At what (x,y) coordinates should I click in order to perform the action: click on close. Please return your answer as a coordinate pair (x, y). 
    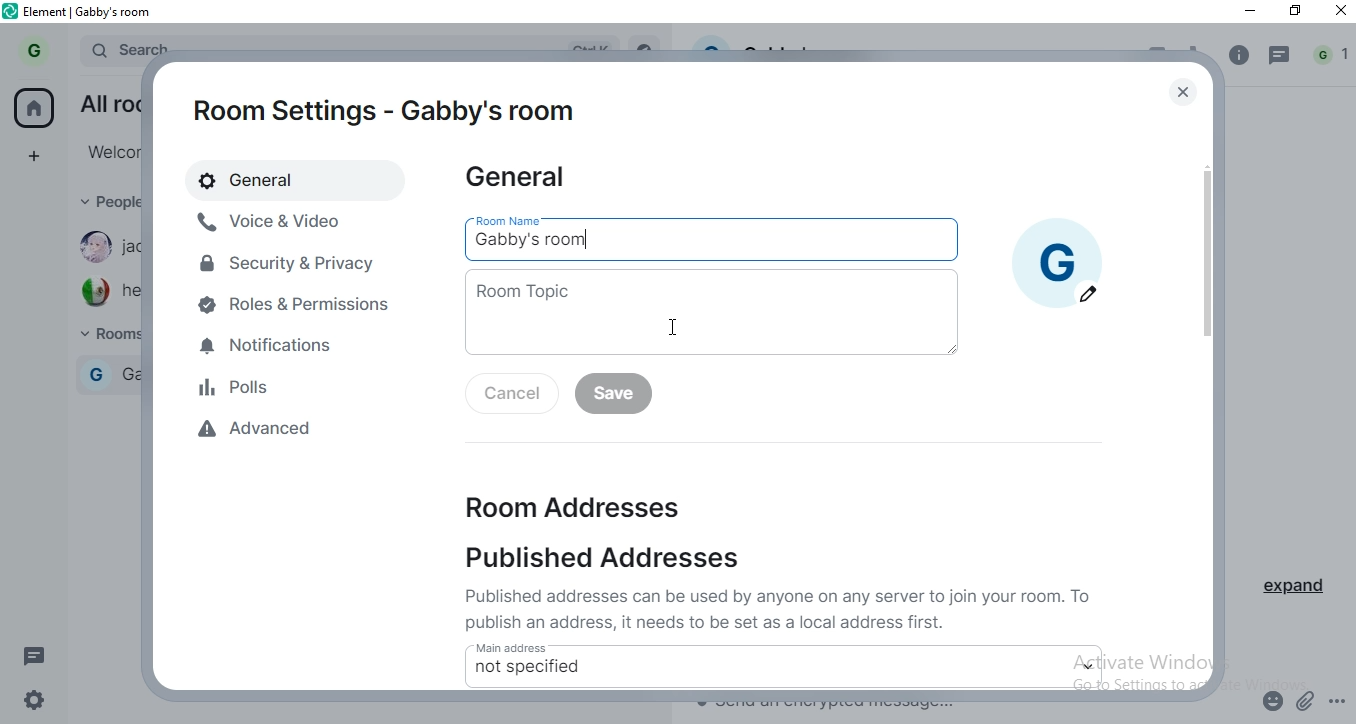
    Looking at the image, I should click on (1186, 92).